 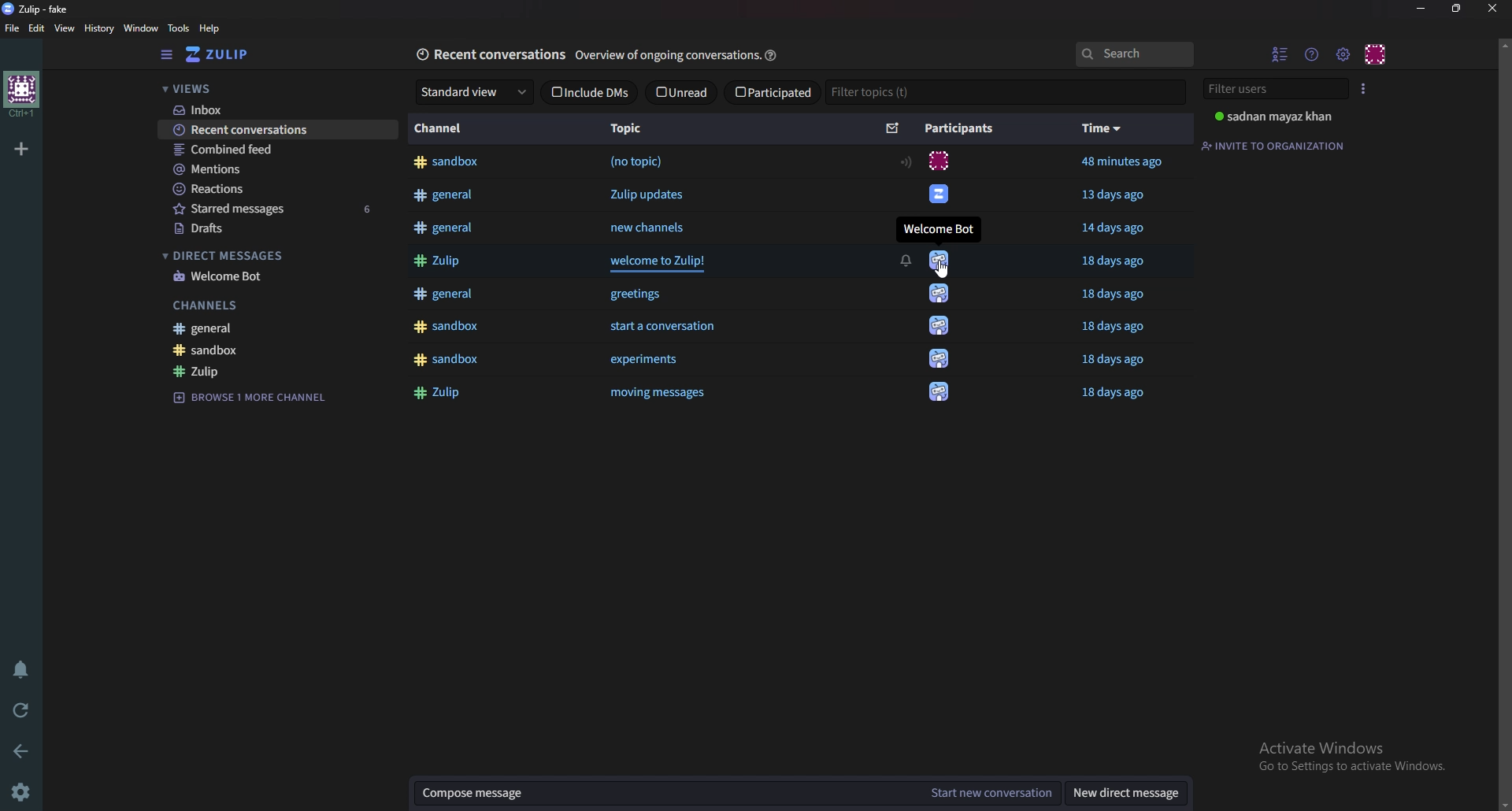 I want to click on unread, so click(x=682, y=92).